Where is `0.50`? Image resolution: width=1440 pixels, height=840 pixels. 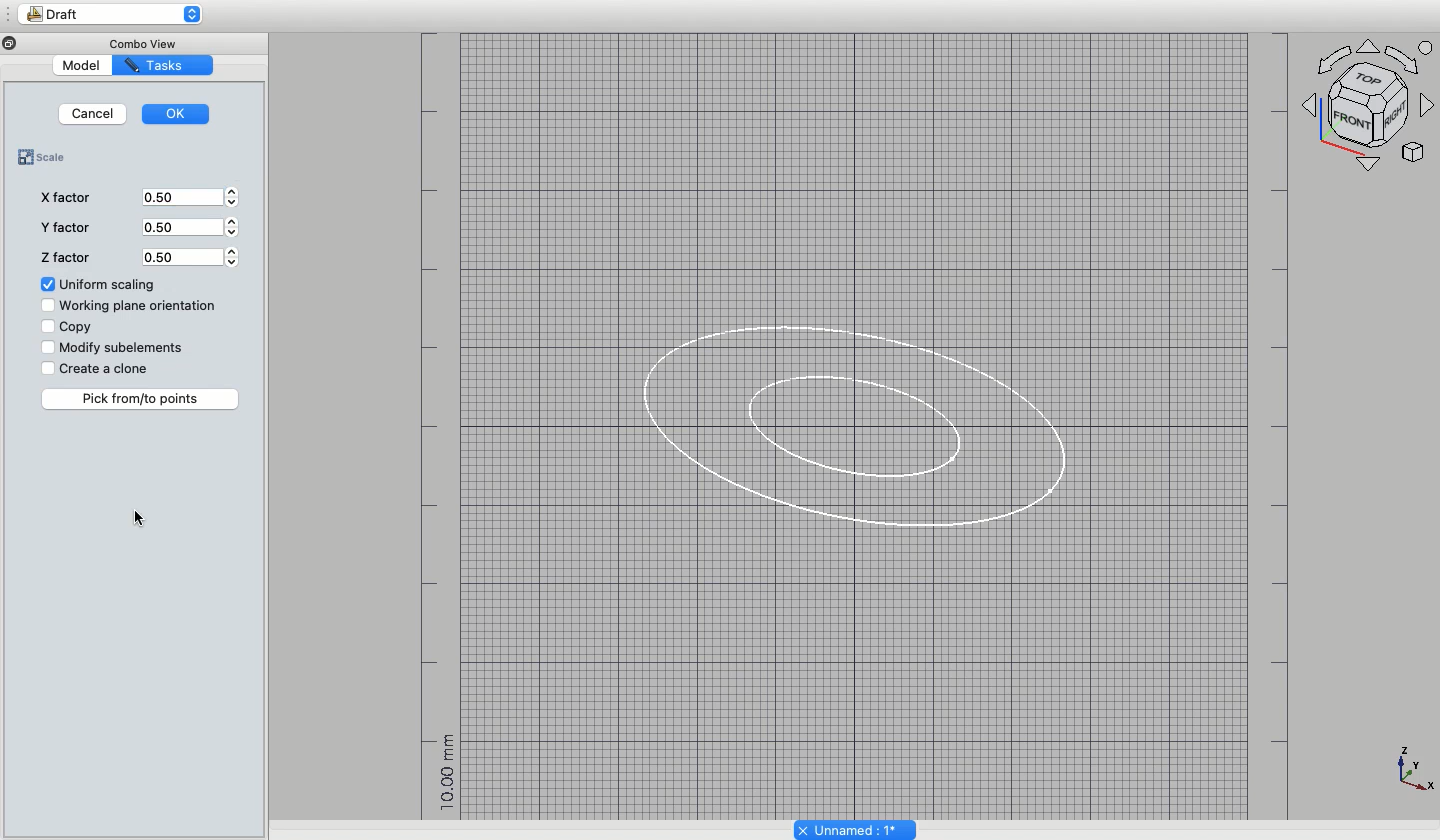 0.50 is located at coordinates (187, 228).